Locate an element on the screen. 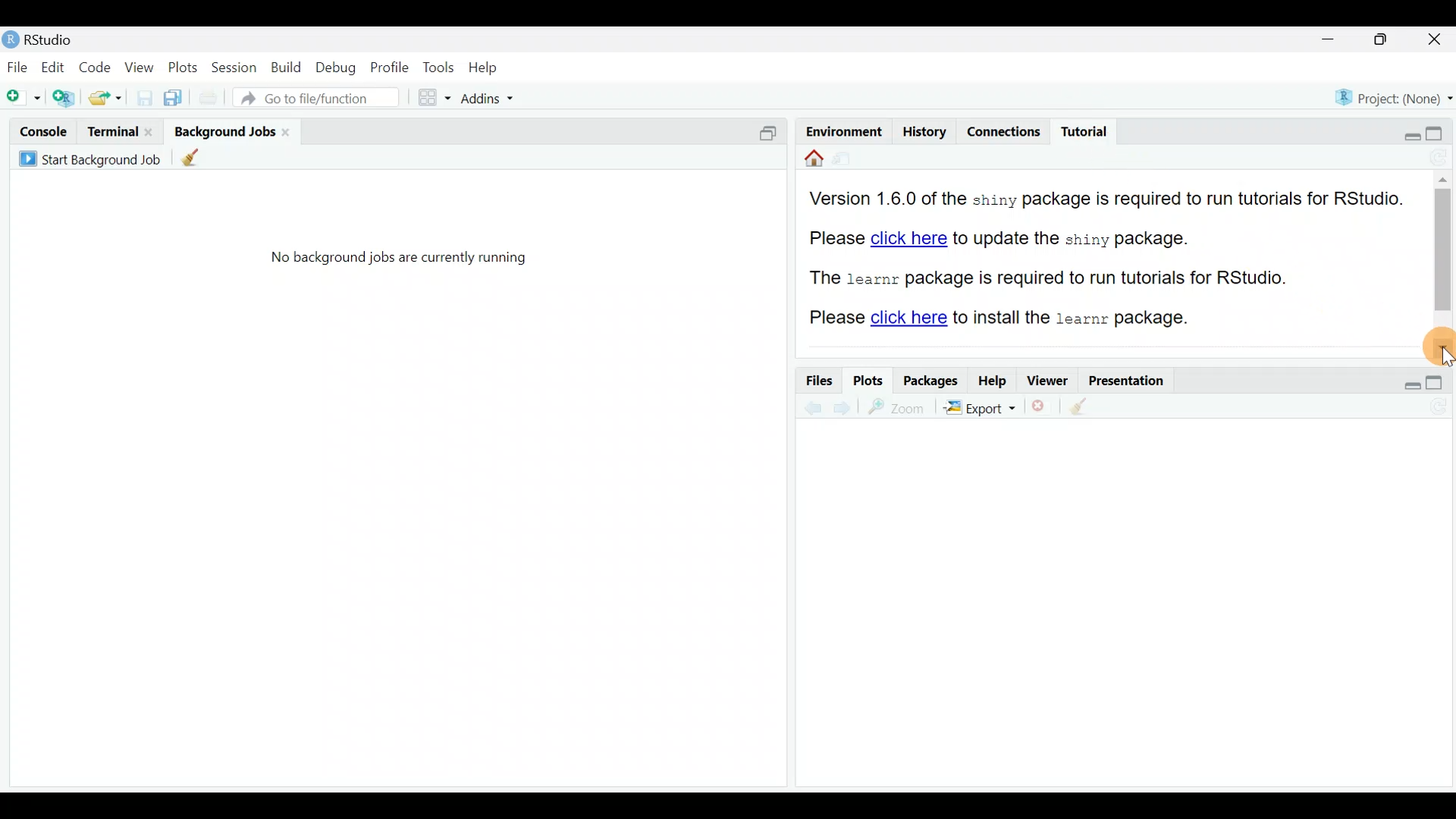 This screenshot has height=819, width=1456. click here is located at coordinates (910, 239).